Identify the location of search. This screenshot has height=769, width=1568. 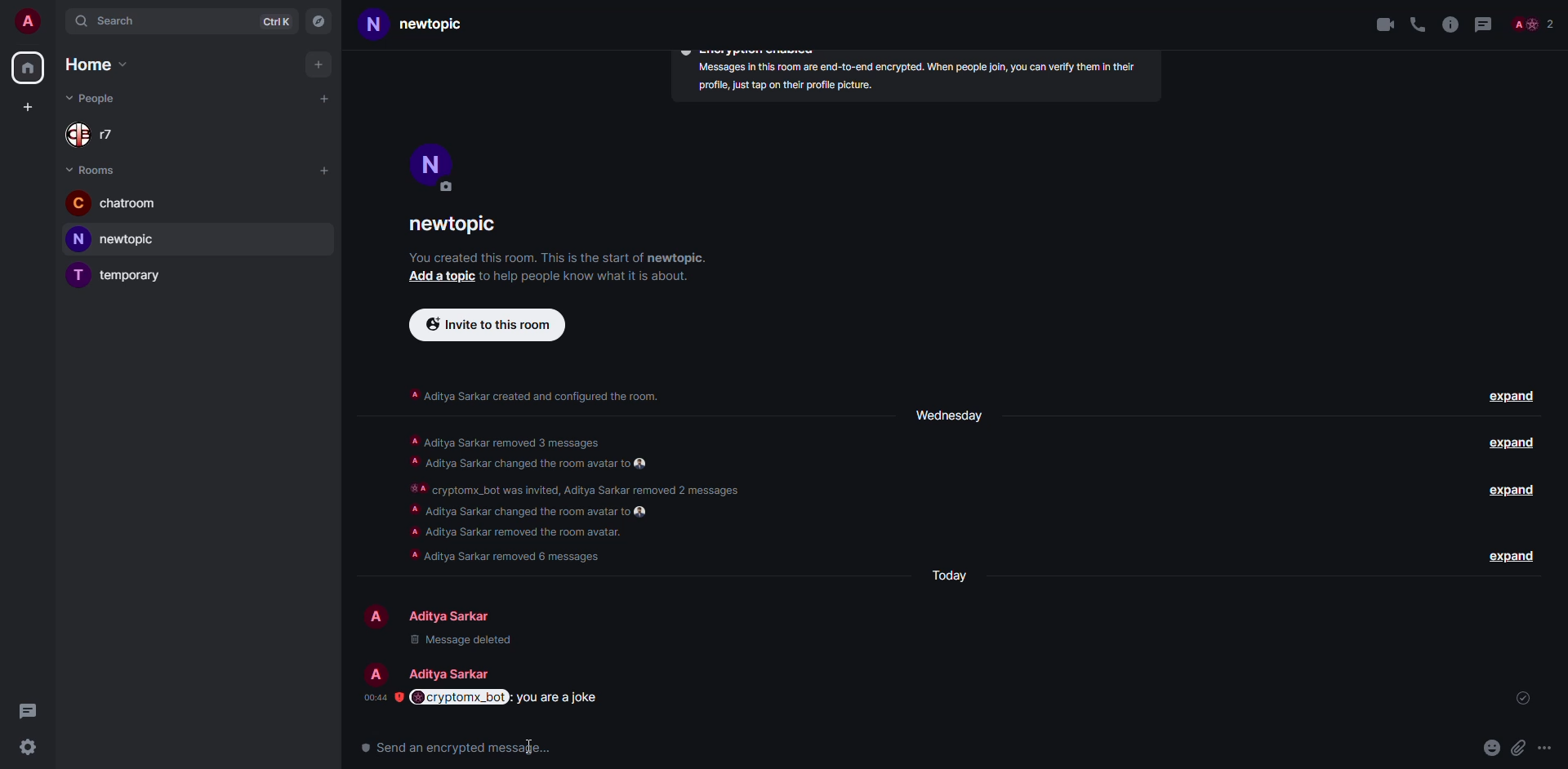
(110, 22).